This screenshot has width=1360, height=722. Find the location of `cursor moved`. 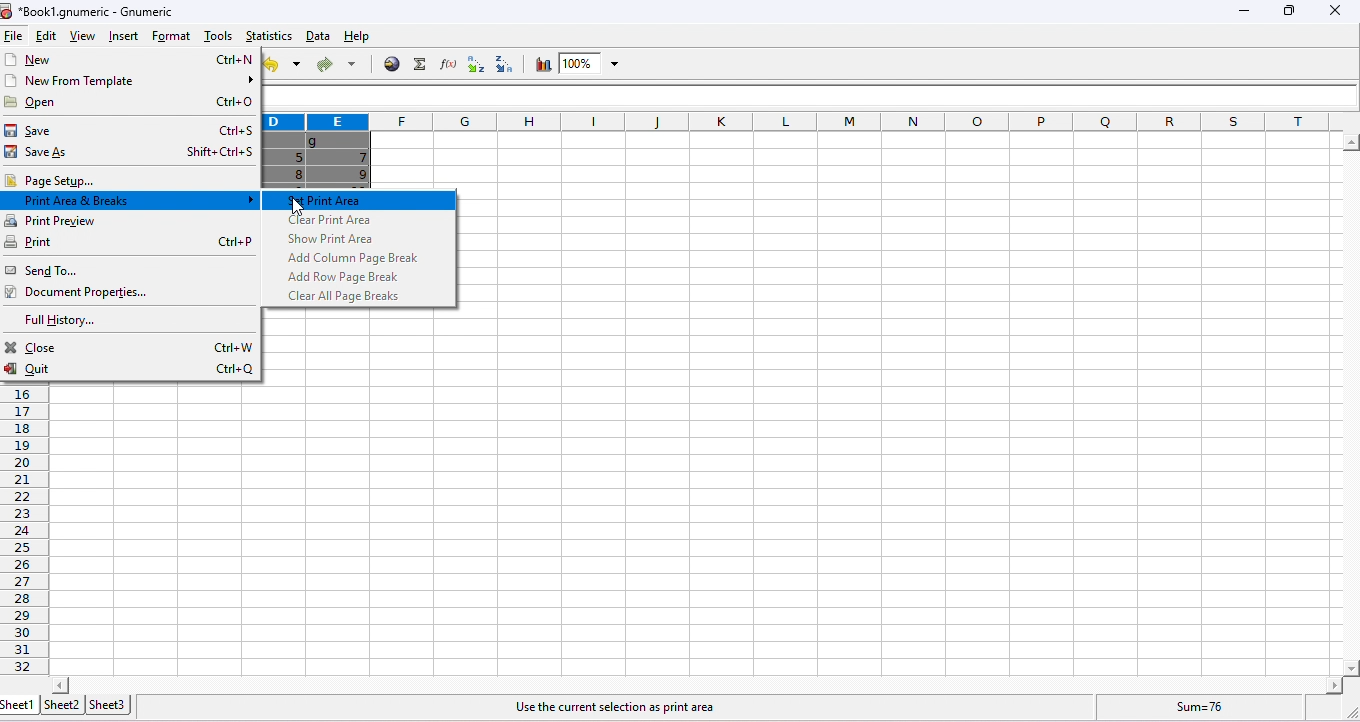

cursor moved is located at coordinates (299, 207).